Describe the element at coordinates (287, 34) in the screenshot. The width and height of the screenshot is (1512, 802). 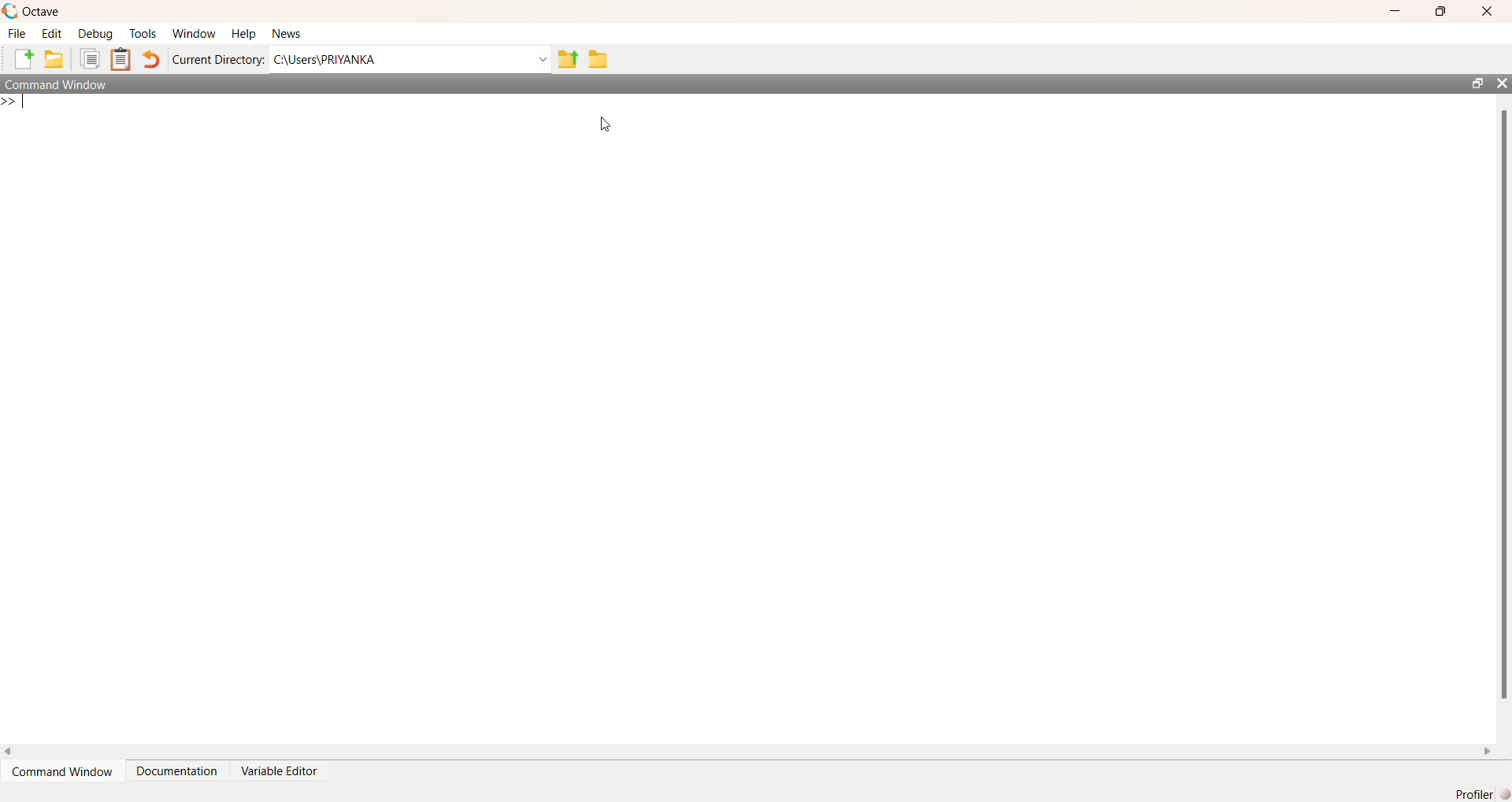
I see `News` at that location.